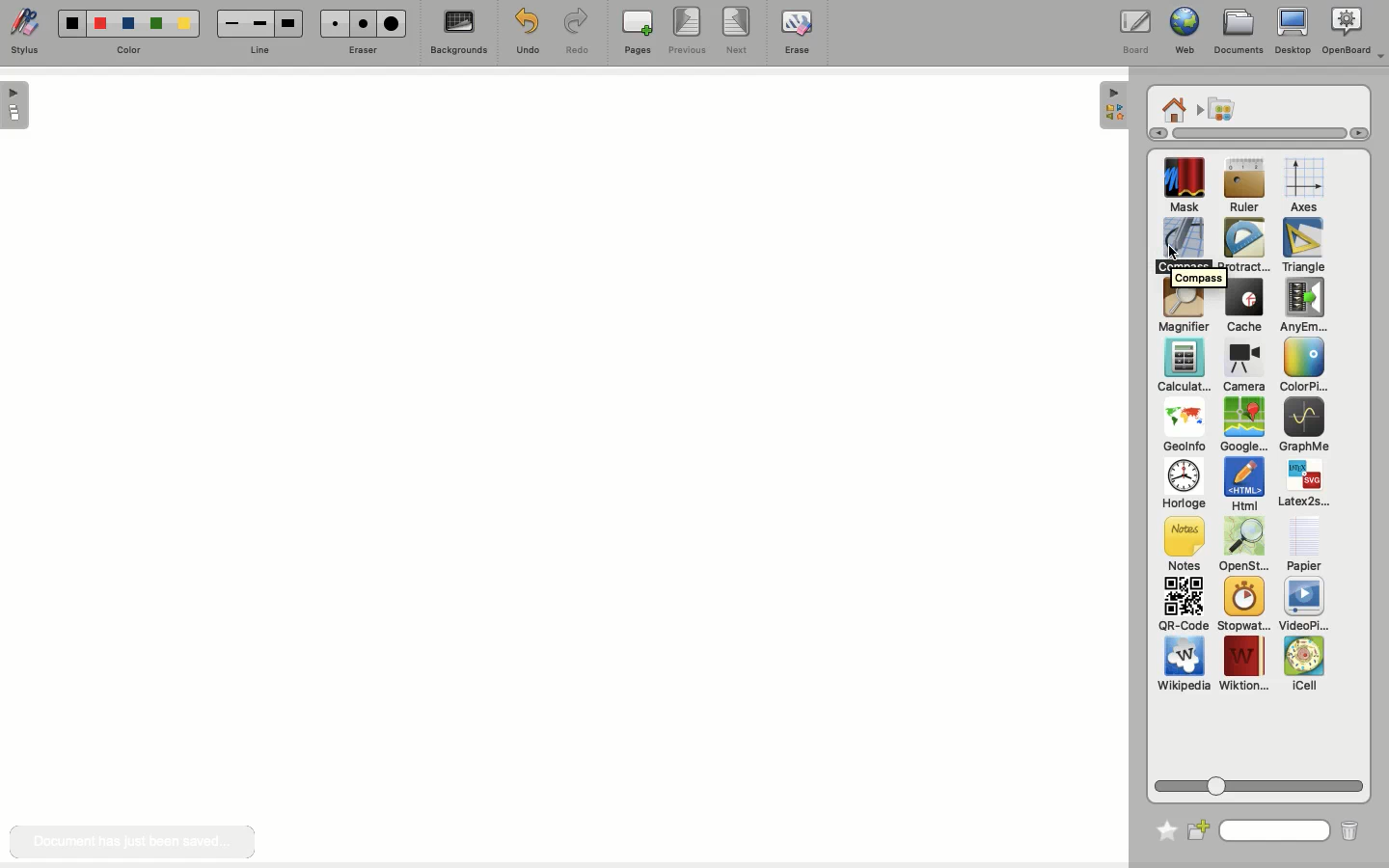 The image size is (1389, 868). I want to click on Camera, so click(1242, 366).